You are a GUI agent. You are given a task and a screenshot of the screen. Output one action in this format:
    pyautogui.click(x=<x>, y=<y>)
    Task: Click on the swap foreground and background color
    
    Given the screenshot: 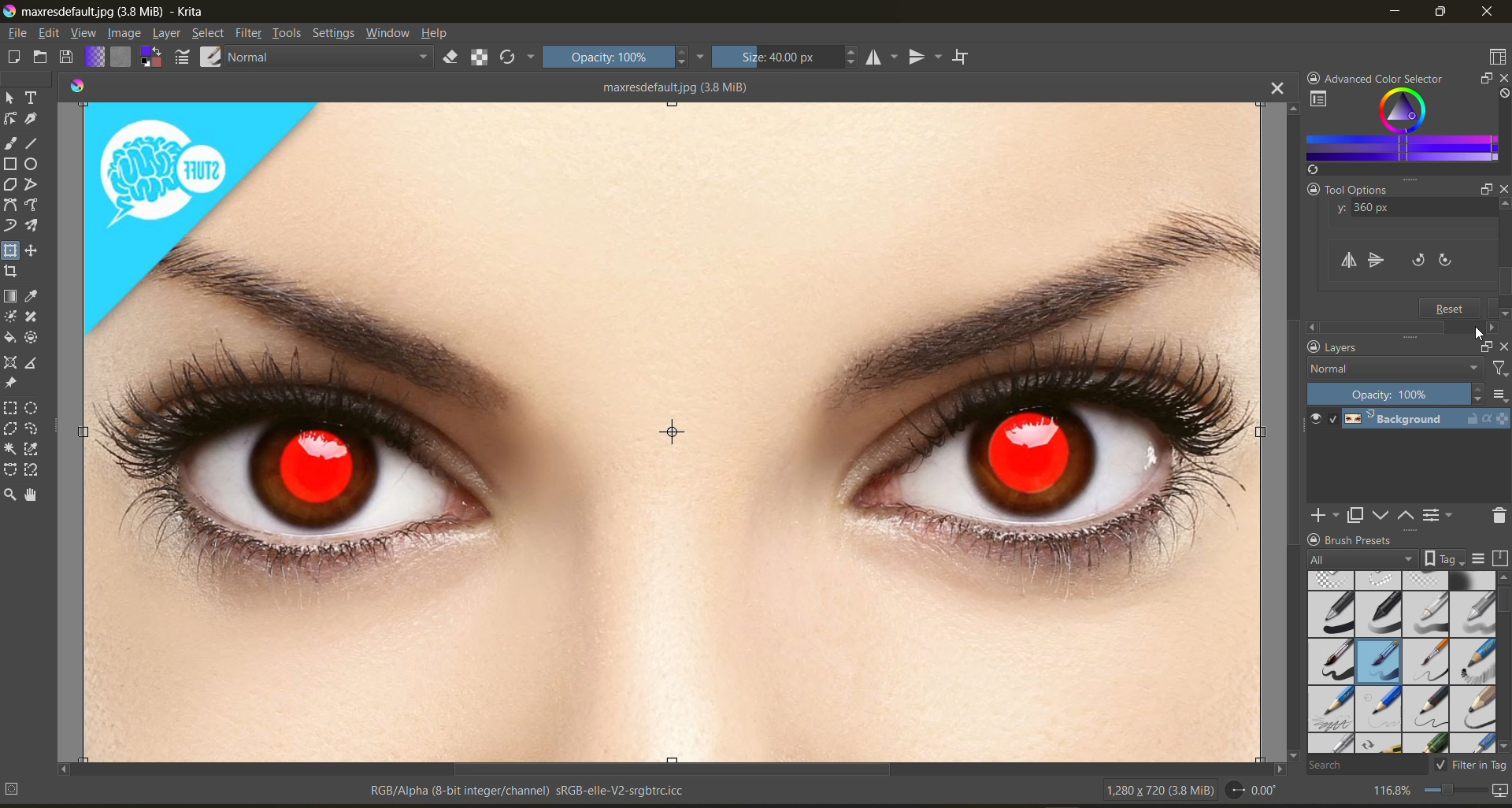 What is the action you would take?
    pyautogui.click(x=153, y=57)
    